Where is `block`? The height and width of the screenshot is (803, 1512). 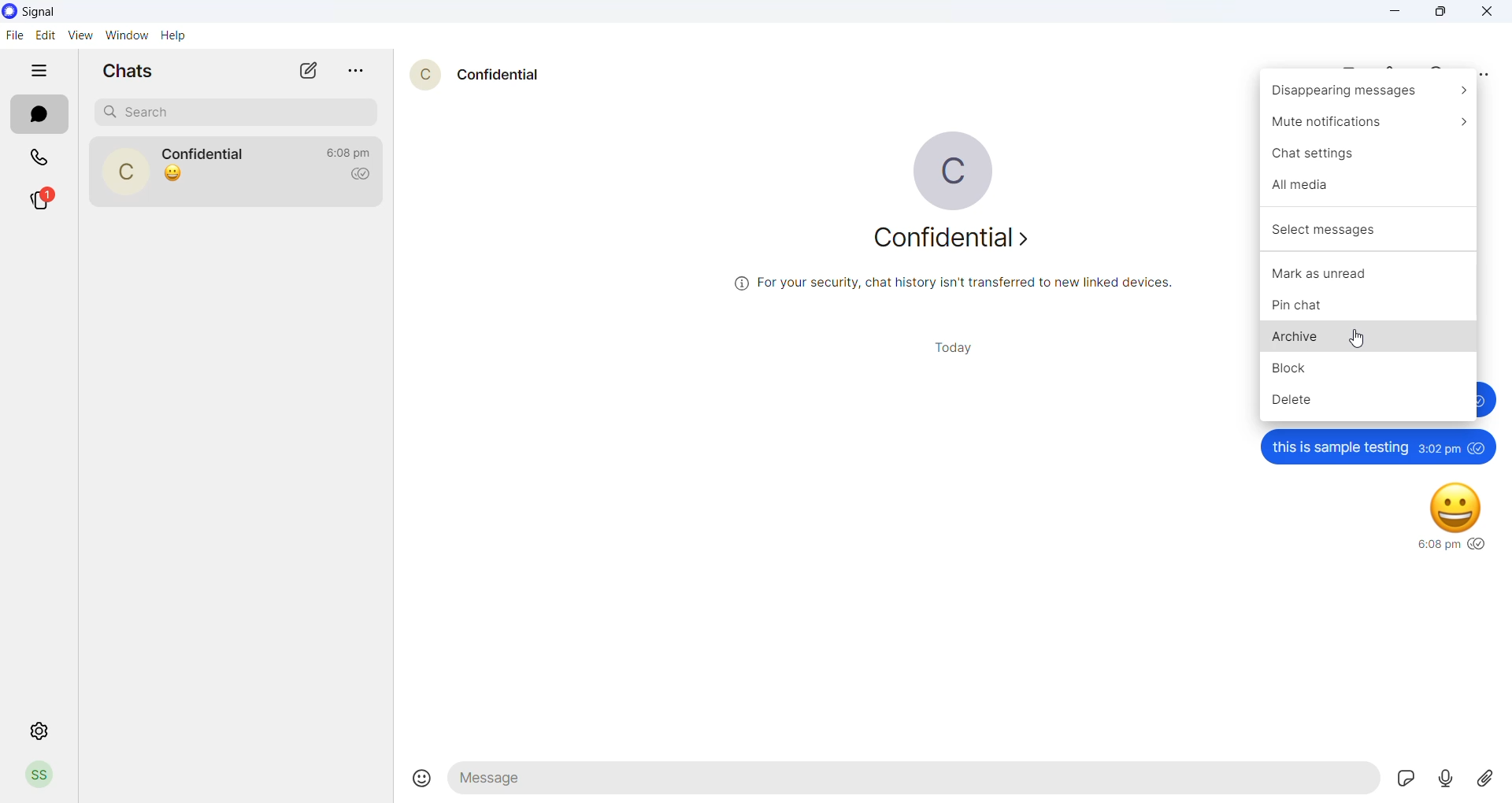
block is located at coordinates (1368, 368).